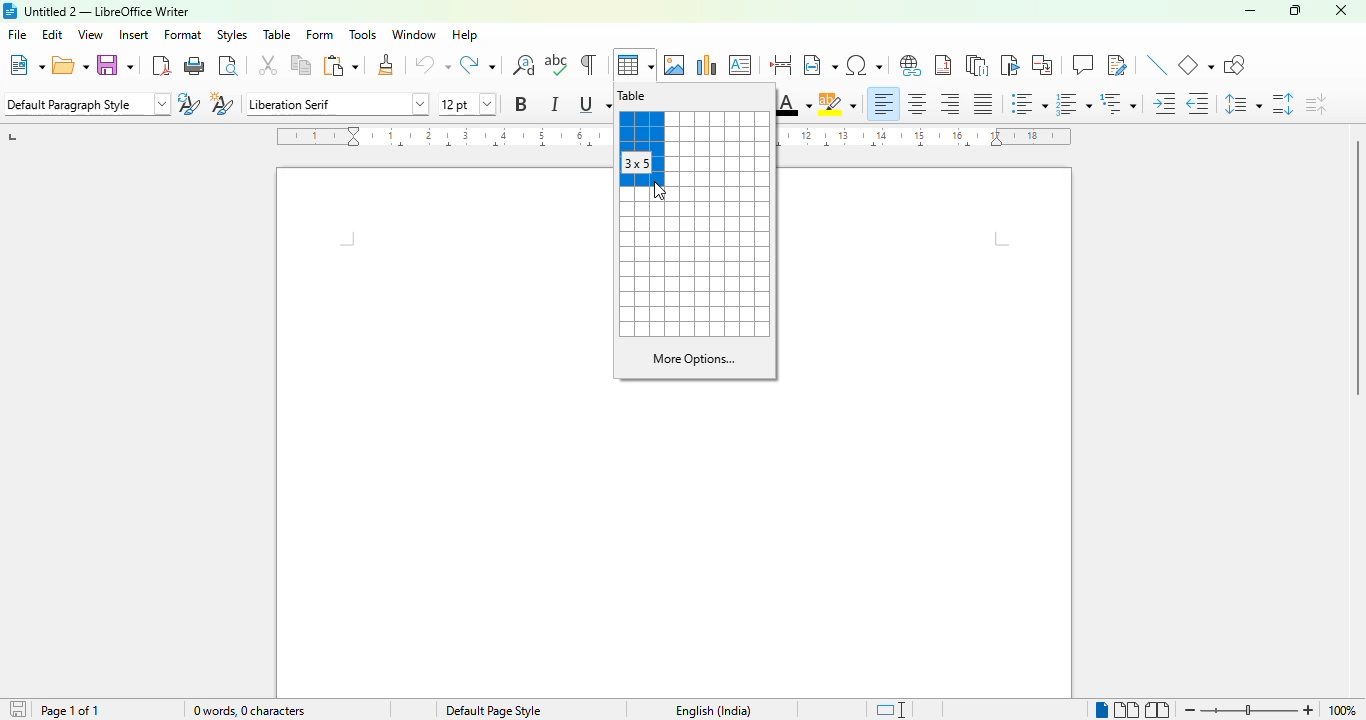 The image size is (1366, 720). I want to click on window, so click(413, 34).